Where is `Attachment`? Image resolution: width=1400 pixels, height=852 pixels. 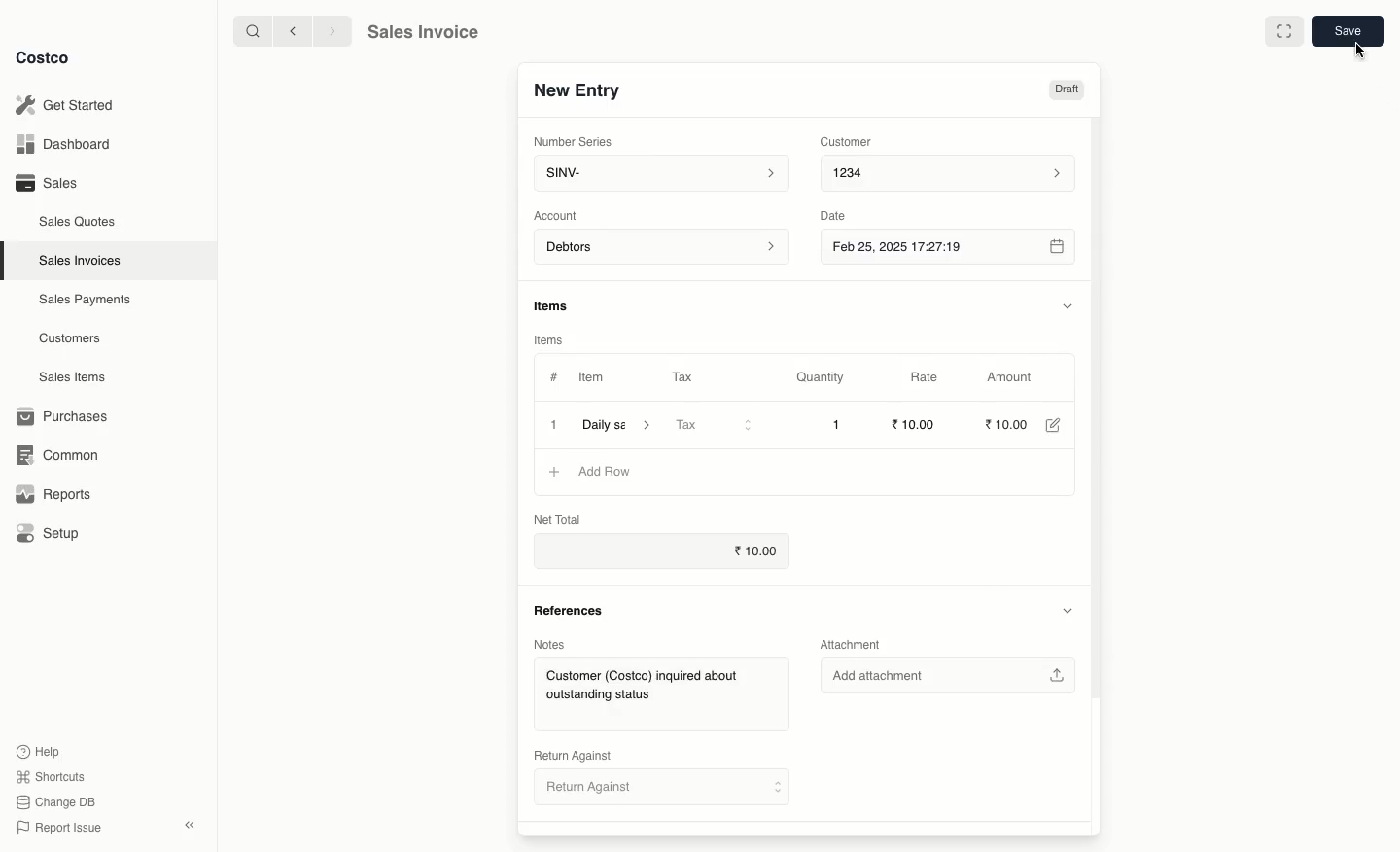 Attachment is located at coordinates (855, 644).